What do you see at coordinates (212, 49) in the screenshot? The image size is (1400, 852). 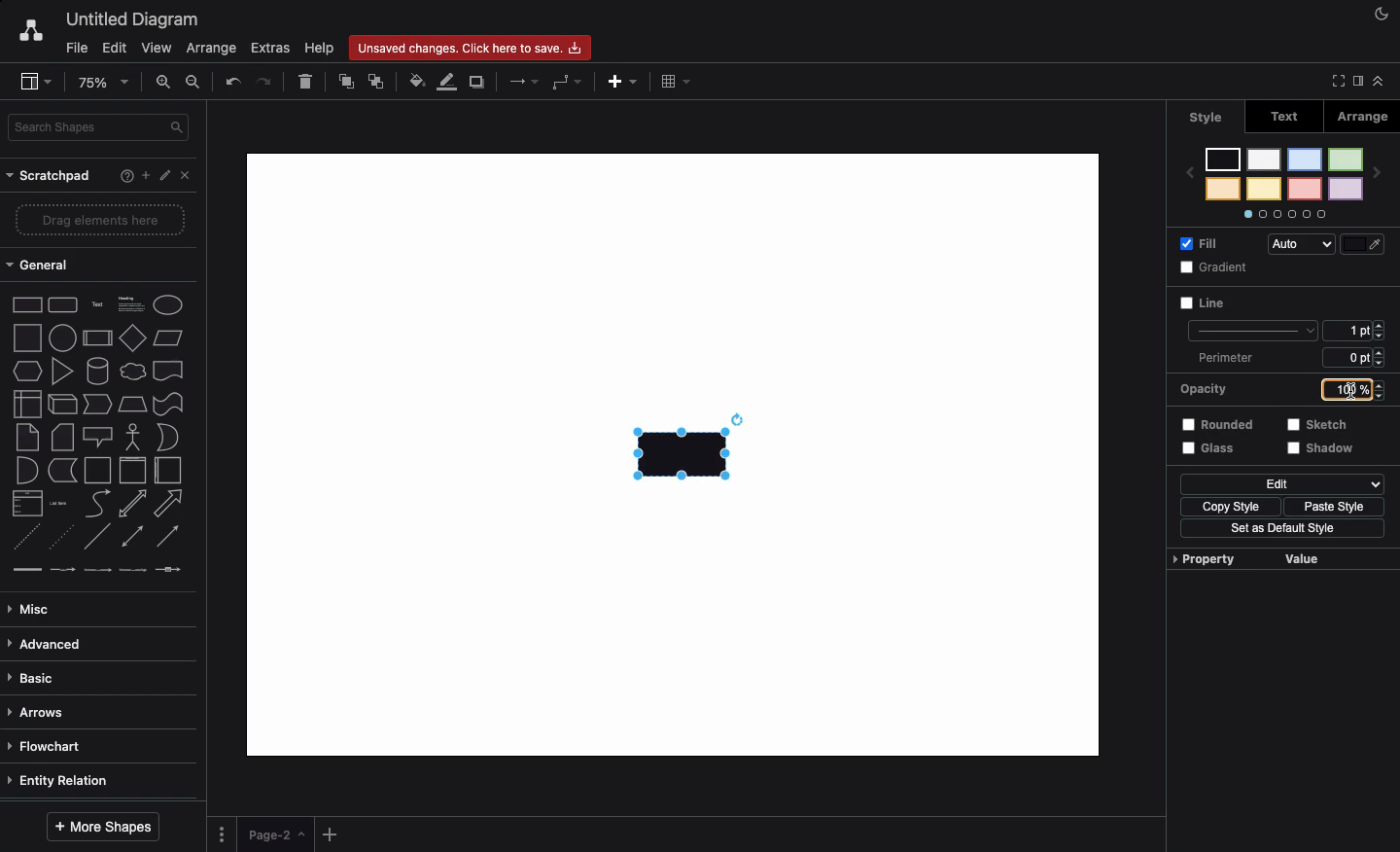 I see `Arrange` at bounding box center [212, 49].